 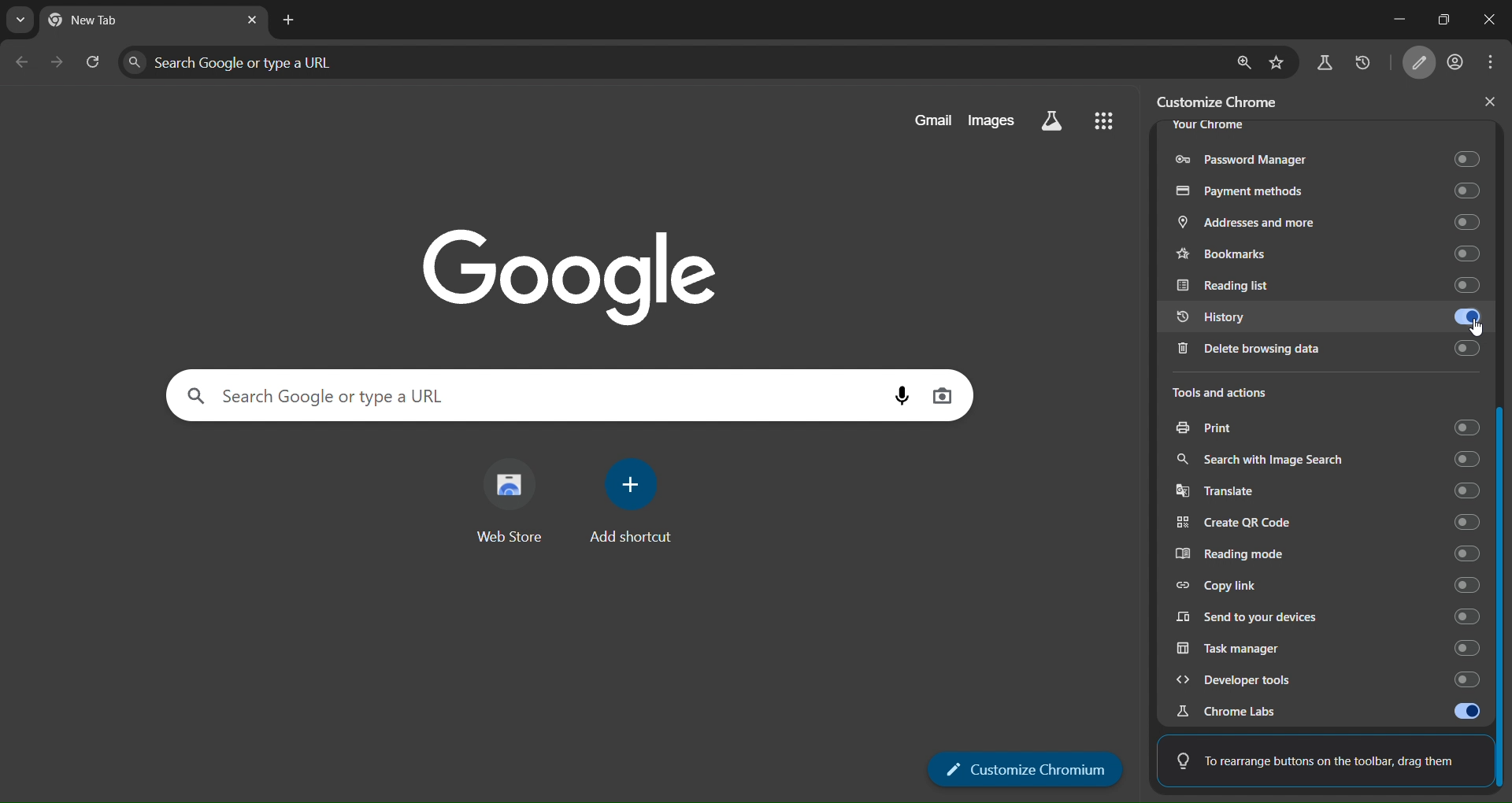 What do you see at coordinates (1423, 64) in the screenshot?
I see `customize chromium` at bounding box center [1423, 64].